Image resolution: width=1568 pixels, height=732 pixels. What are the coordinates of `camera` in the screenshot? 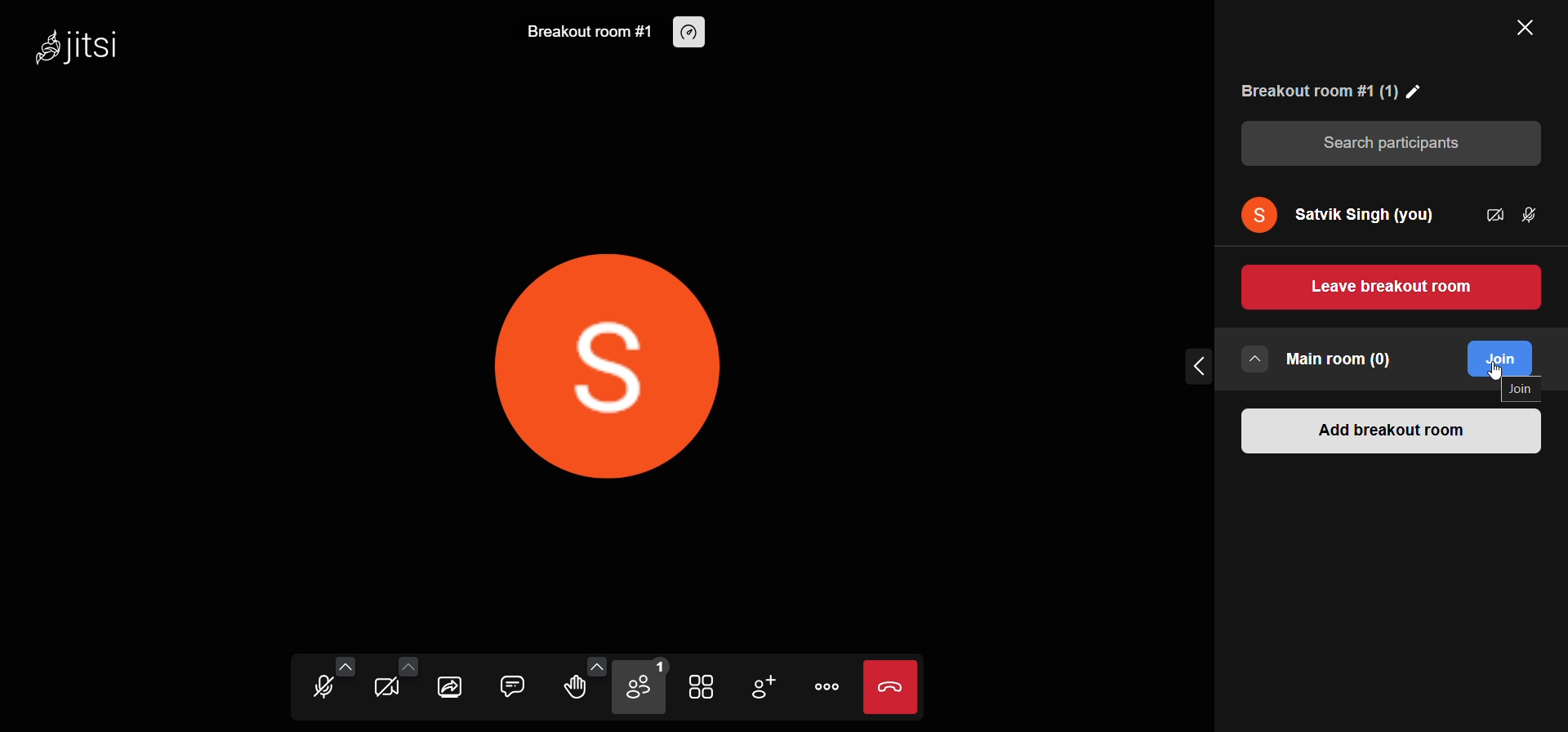 It's located at (391, 688).